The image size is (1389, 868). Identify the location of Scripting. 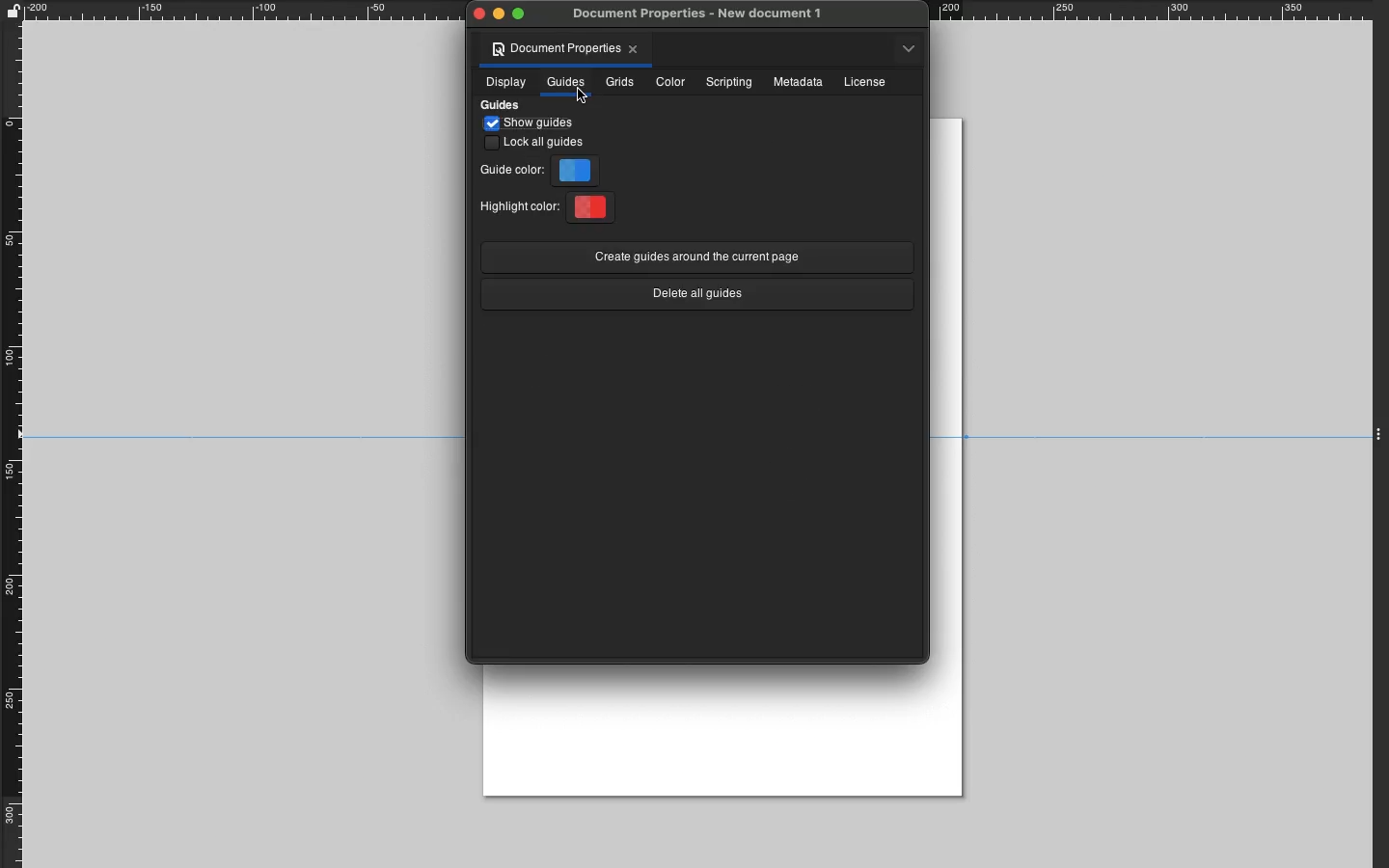
(730, 81).